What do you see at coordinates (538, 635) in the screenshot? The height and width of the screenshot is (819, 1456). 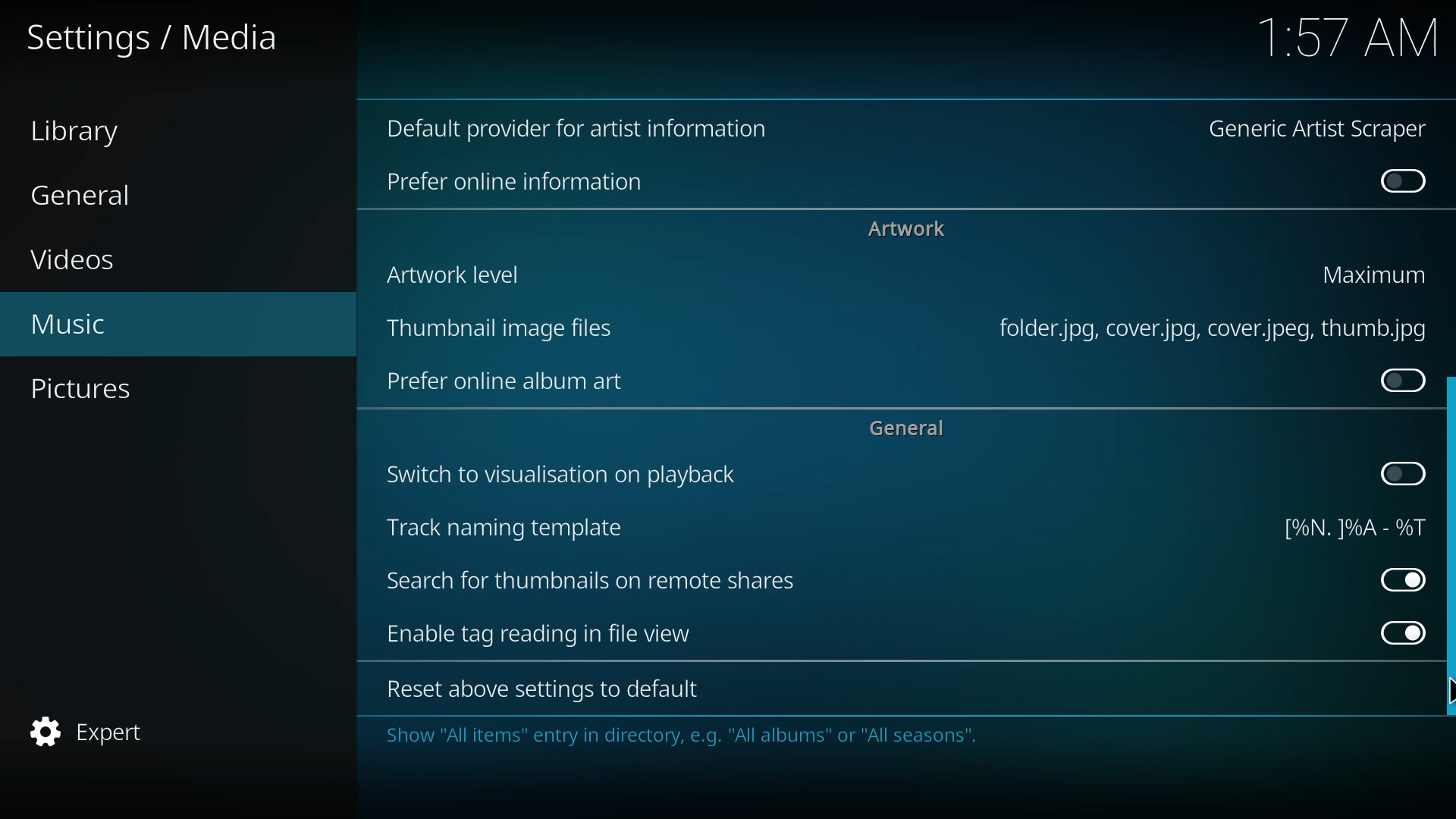 I see `enable tag reading` at bounding box center [538, 635].